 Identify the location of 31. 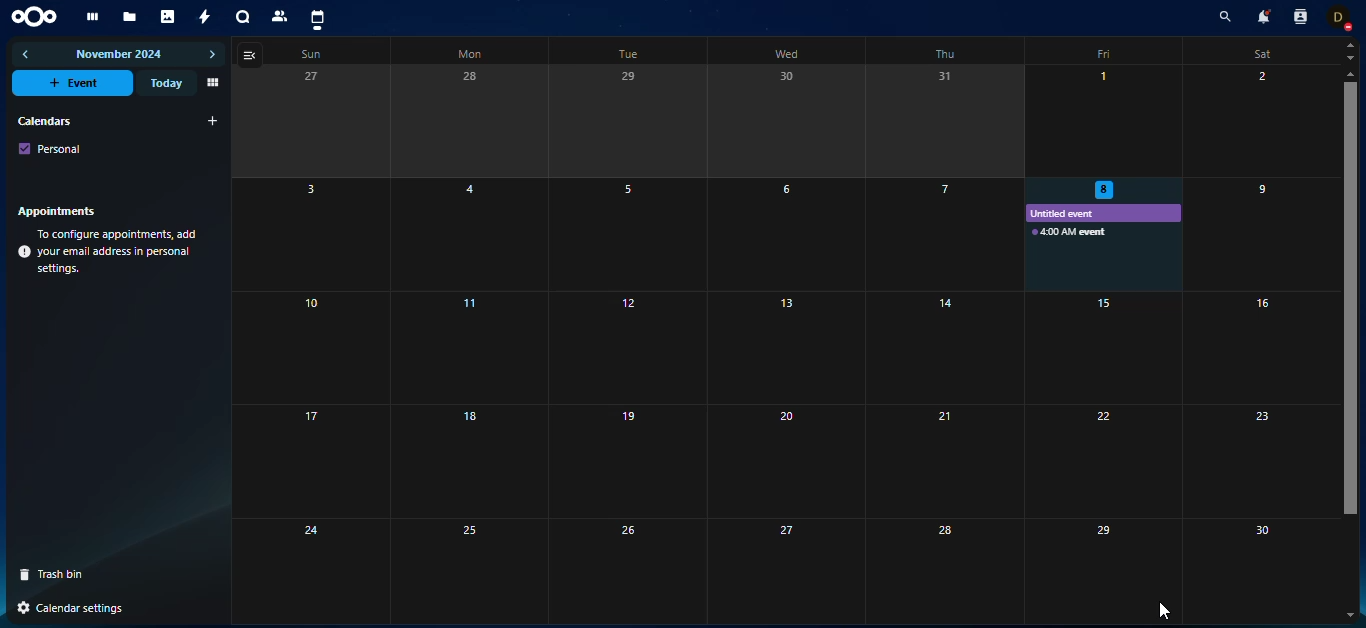
(945, 120).